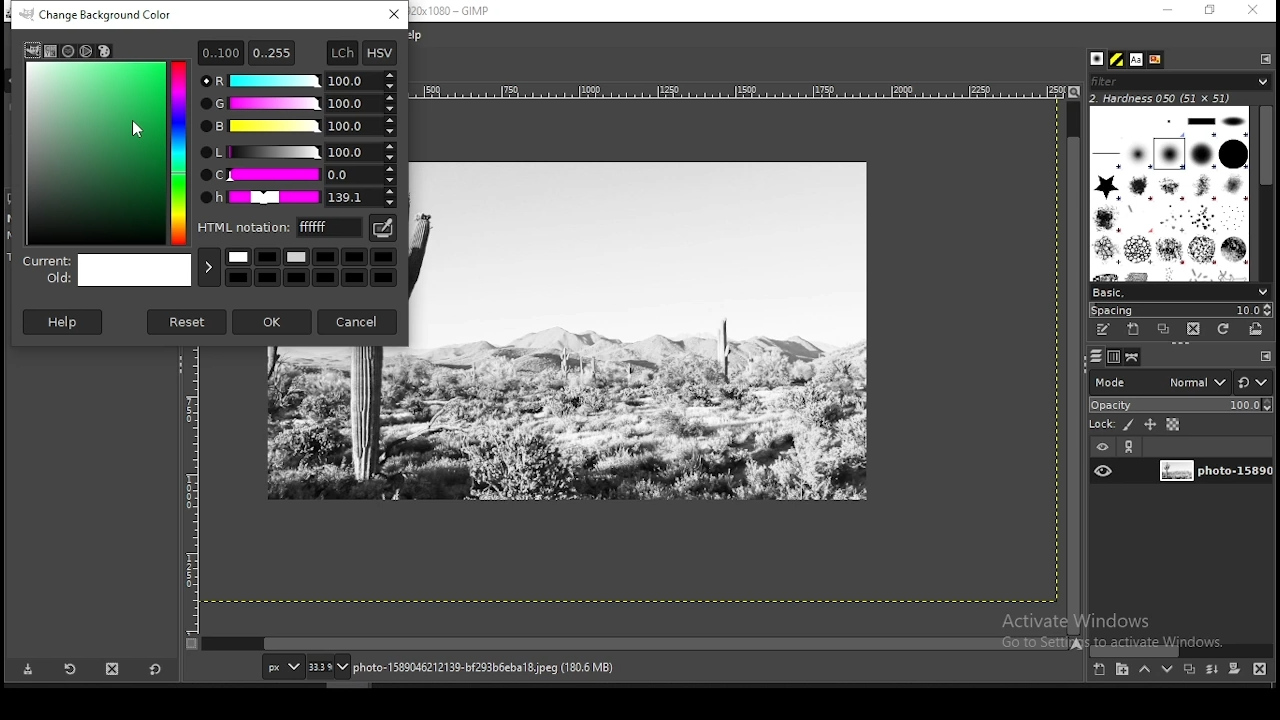  What do you see at coordinates (329, 666) in the screenshot?
I see `zoom level` at bounding box center [329, 666].